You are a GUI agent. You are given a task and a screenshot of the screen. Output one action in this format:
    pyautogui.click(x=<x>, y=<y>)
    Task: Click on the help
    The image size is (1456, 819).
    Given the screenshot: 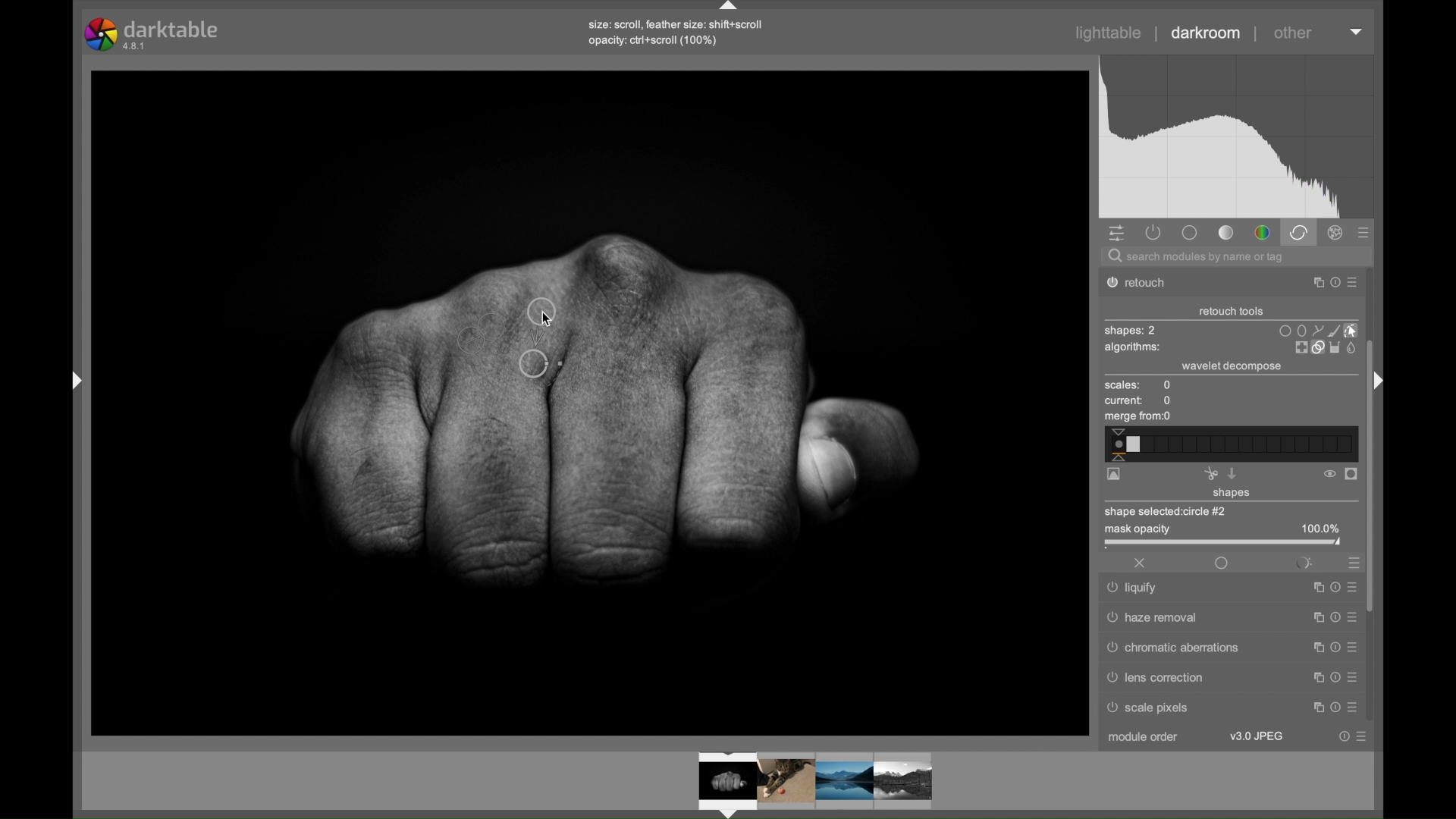 What is the action you would take?
    pyautogui.click(x=1332, y=283)
    